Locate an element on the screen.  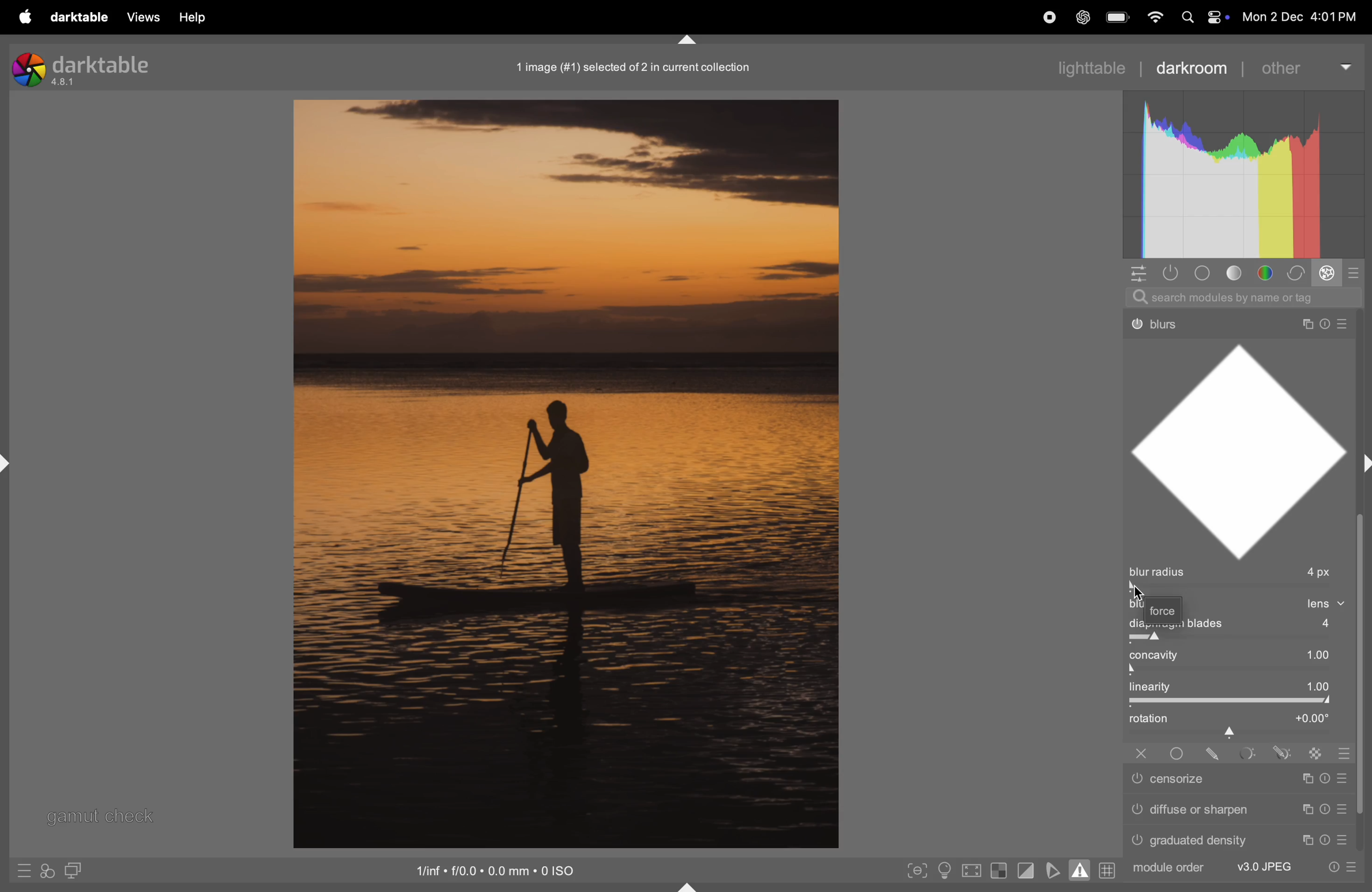
 is located at coordinates (1284, 753).